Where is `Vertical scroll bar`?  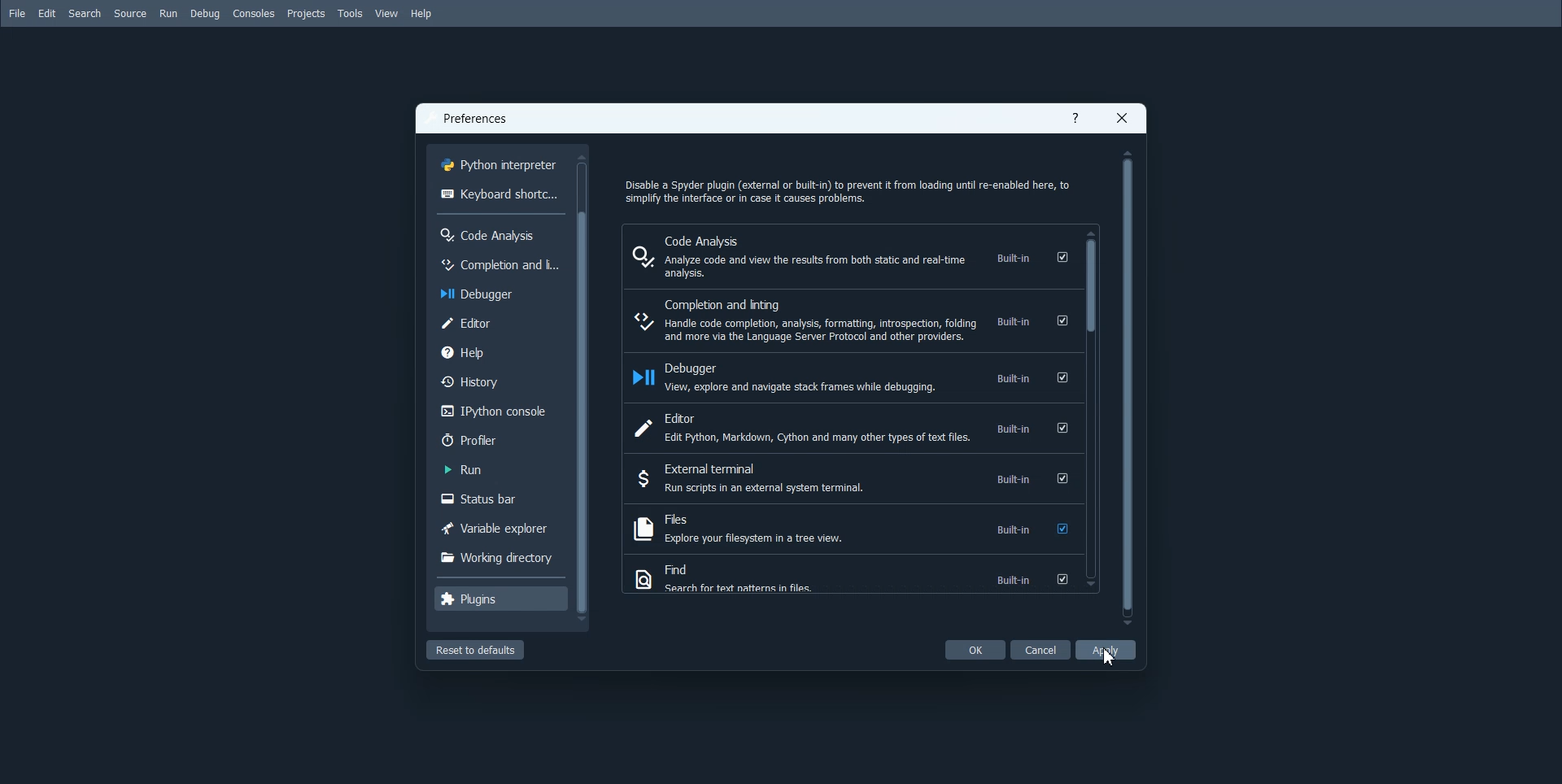
Vertical scroll bar is located at coordinates (1128, 385).